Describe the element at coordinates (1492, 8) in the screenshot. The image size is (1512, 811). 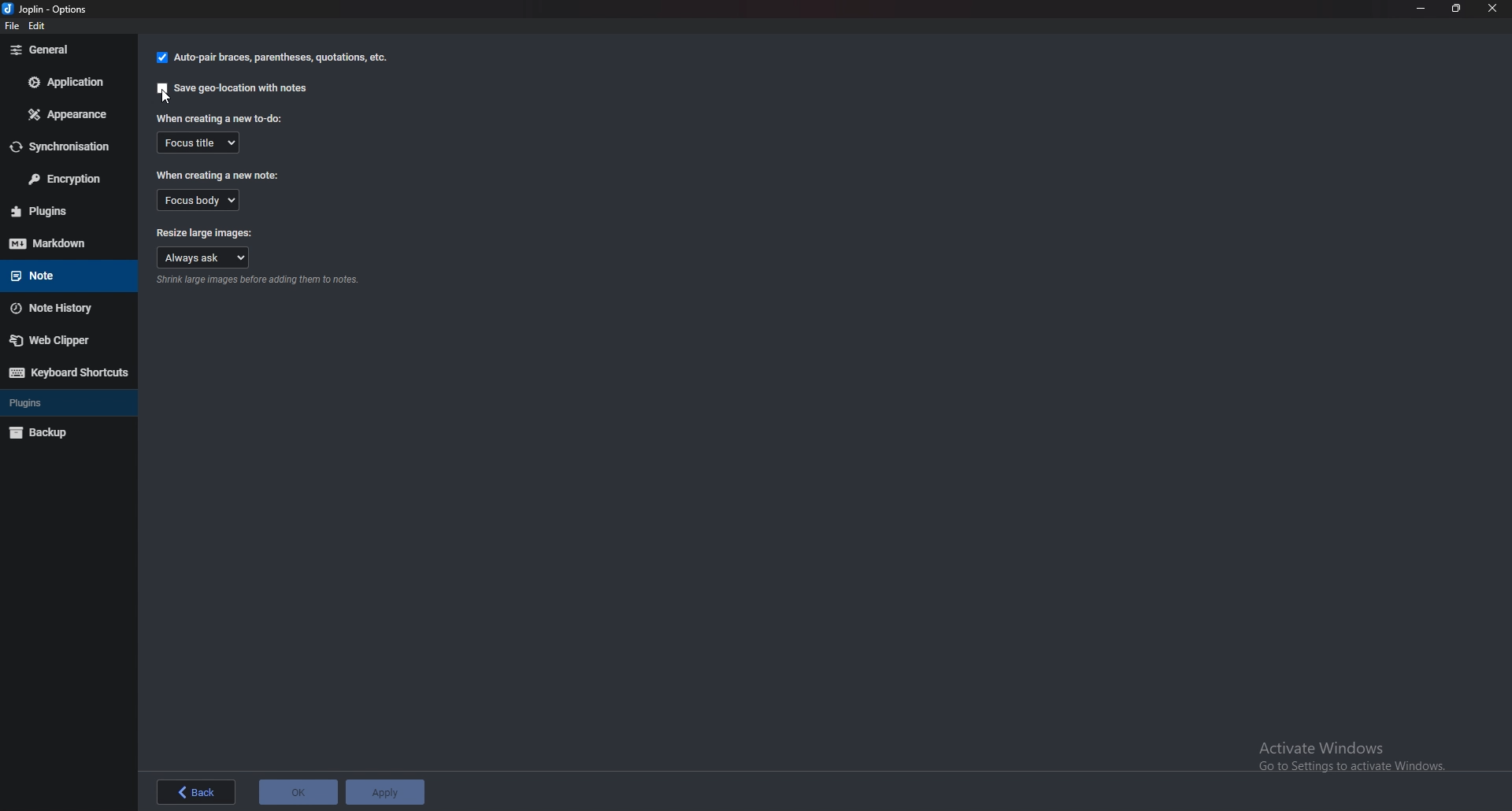
I see `close` at that location.